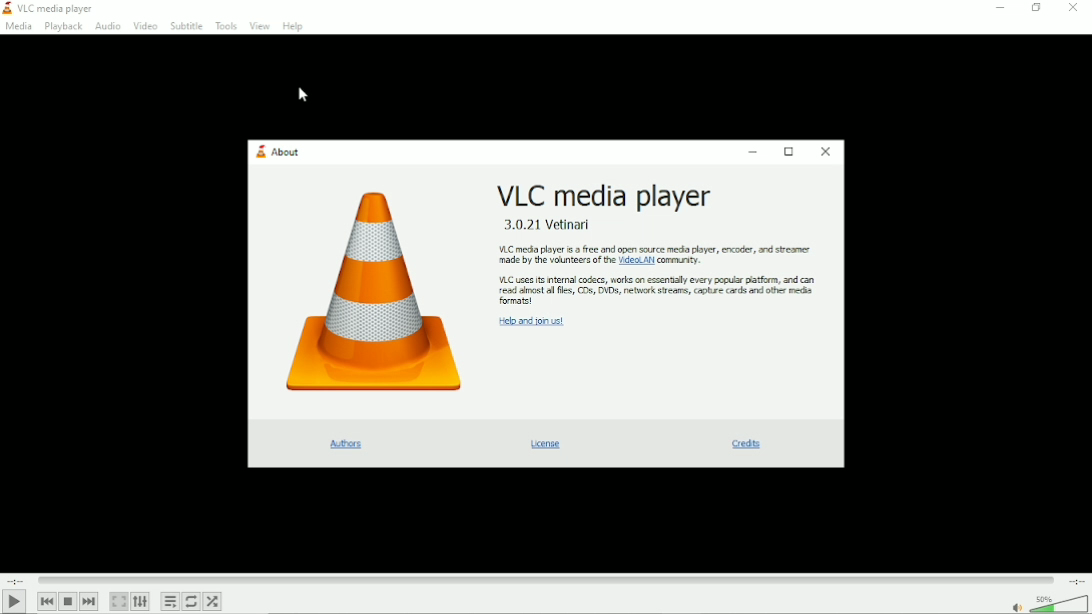 This screenshot has height=614, width=1092. I want to click on Previous, so click(47, 601).